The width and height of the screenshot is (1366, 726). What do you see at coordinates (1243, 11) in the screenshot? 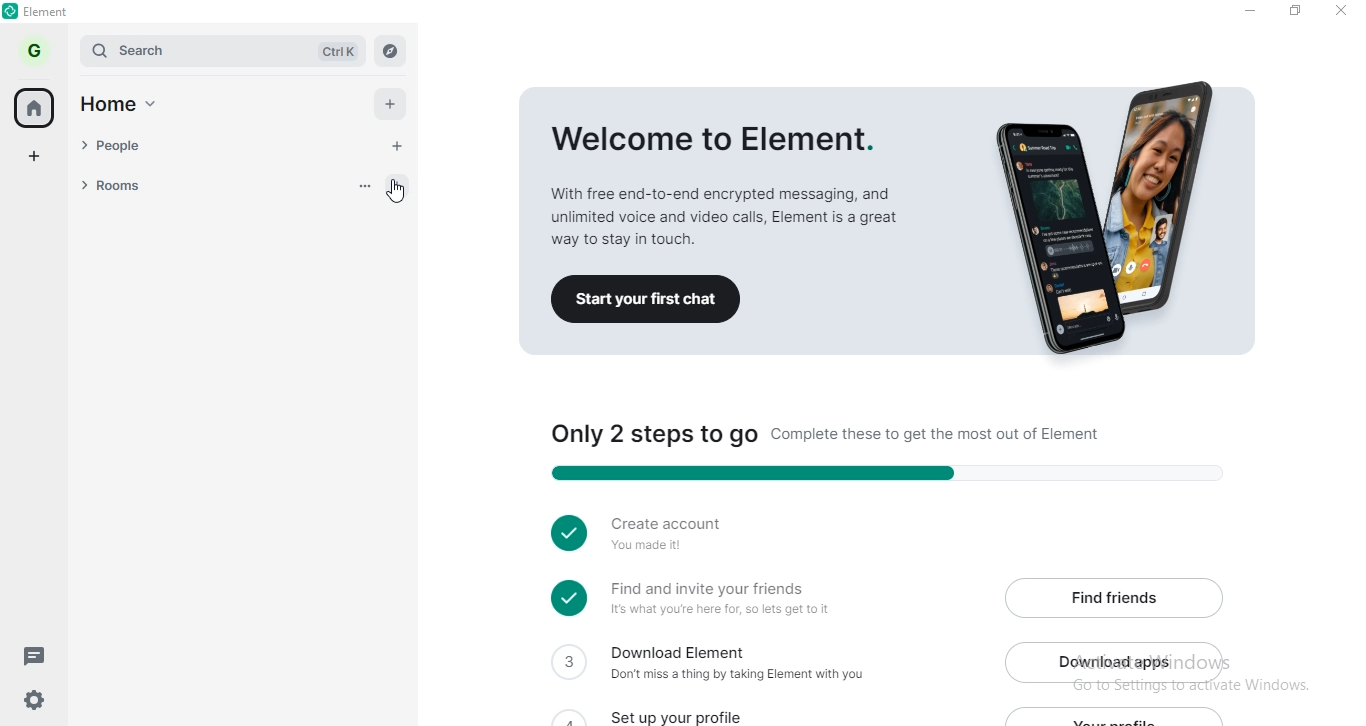
I see `minimise` at bounding box center [1243, 11].